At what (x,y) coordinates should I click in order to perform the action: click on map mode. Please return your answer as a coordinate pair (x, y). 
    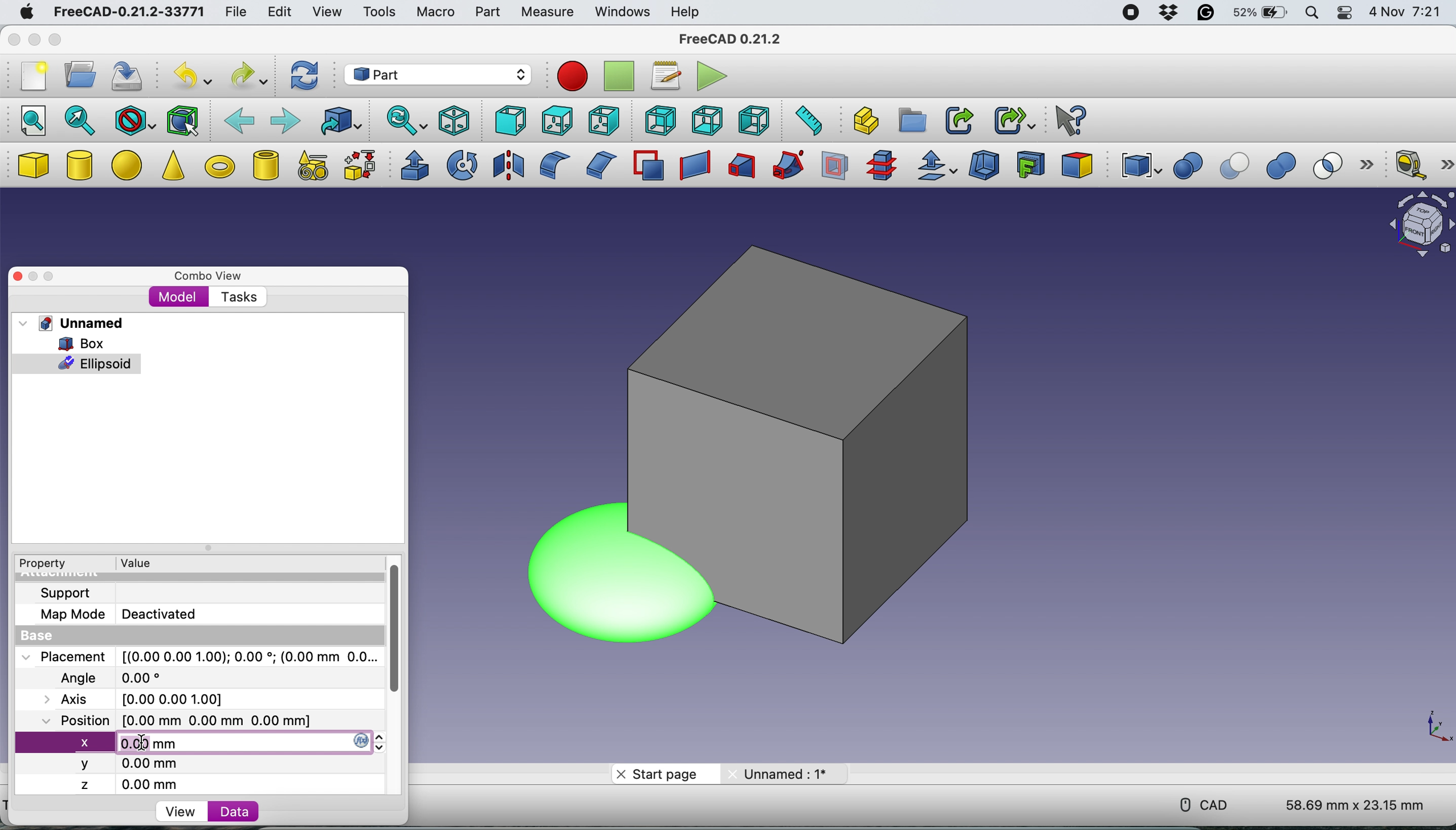
    Looking at the image, I should click on (68, 616).